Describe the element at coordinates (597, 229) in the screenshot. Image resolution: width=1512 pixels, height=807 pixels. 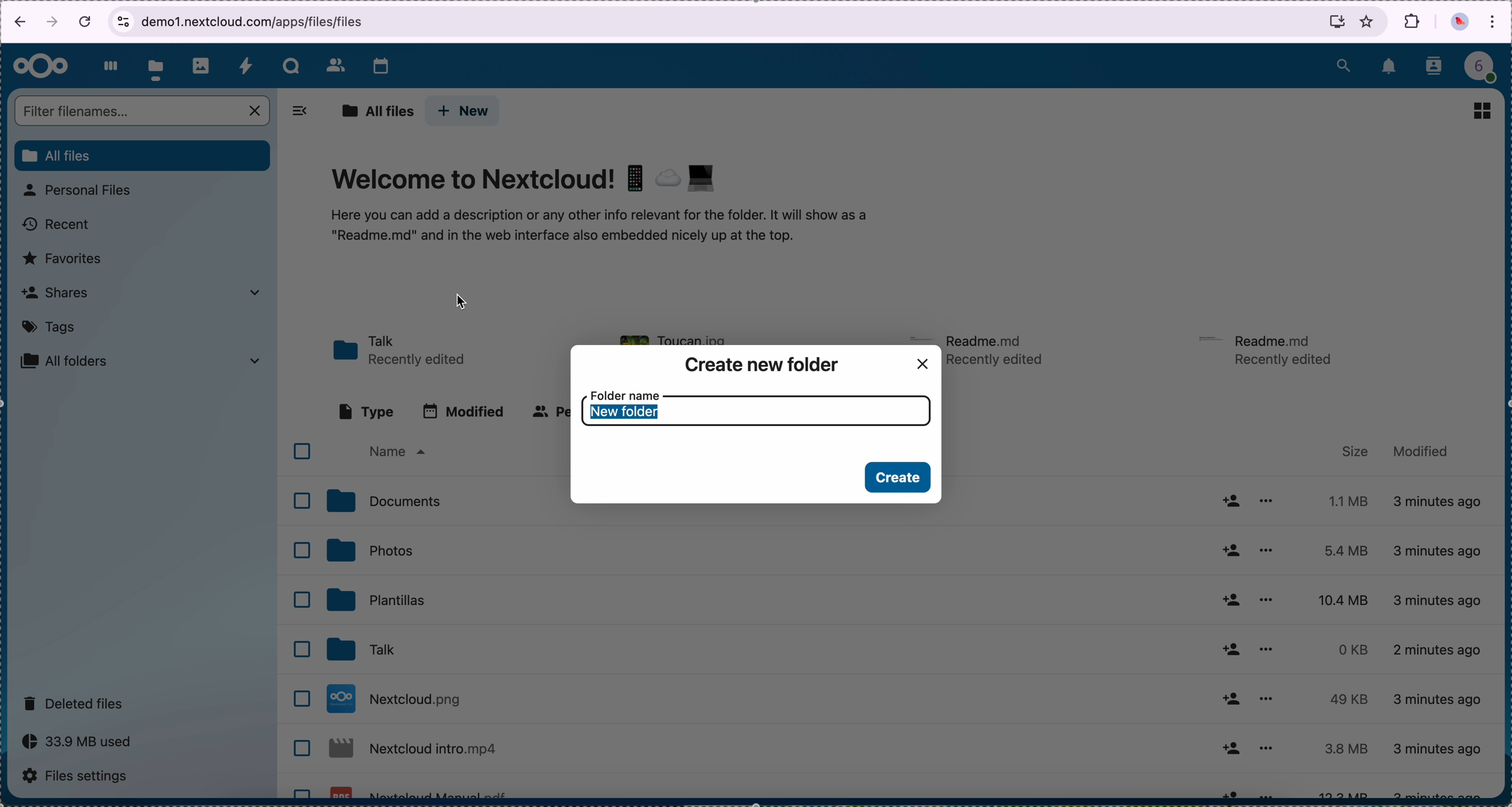
I see `welcome text` at that location.